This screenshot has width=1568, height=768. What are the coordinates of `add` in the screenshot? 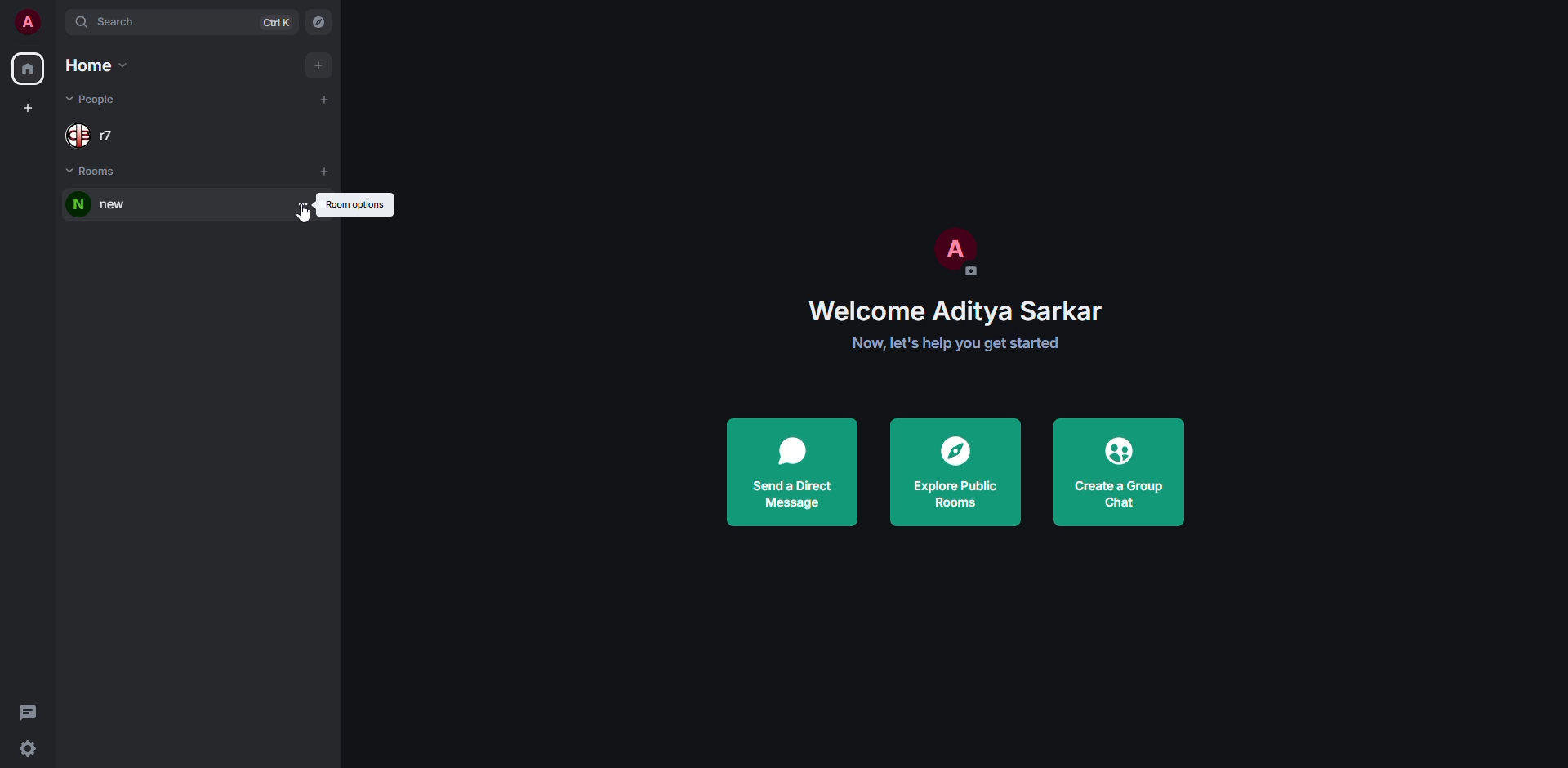 It's located at (316, 65).